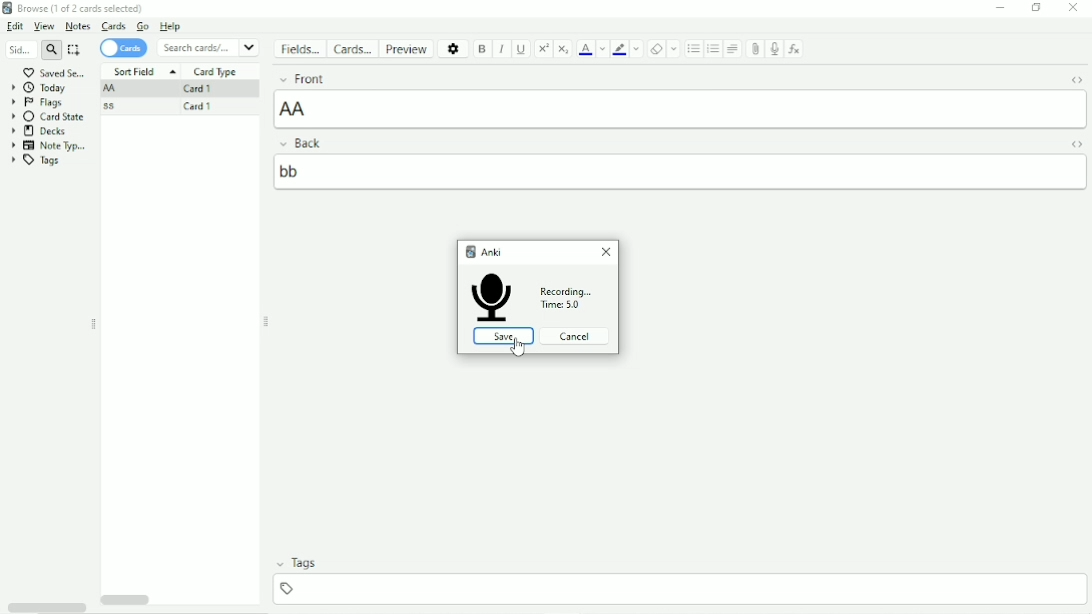 This screenshot has height=614, width=1092. What do you see at coordinates (574, 336) in the screenshot?
I see `Cancel` at bounding box center [574, 336].